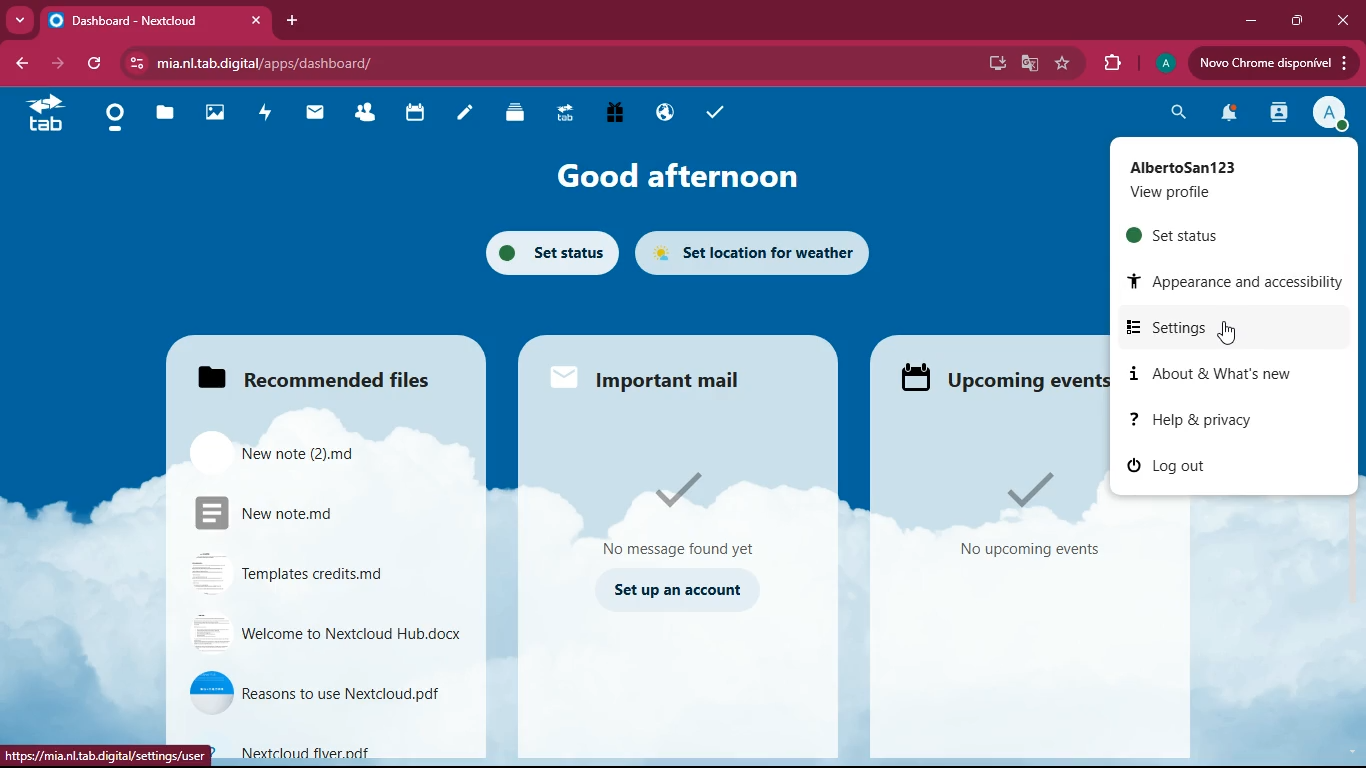 The width and height of the screenshot is (1366, 768). I want to click on files, so click(164, 115).